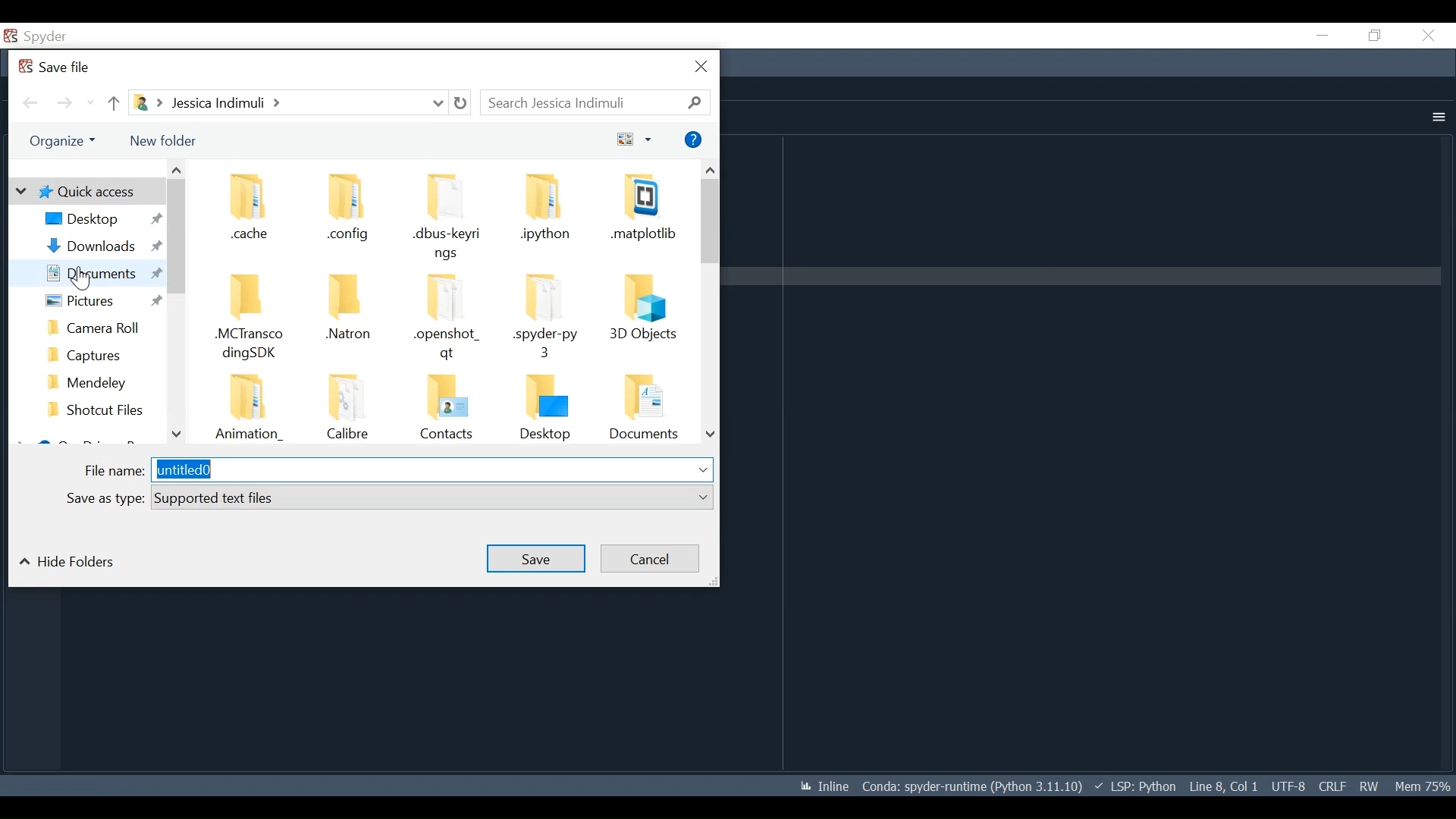 This screenshot has width=1456, height=819. Describe the element at coordinates (96, 326) in the screenshot. I see `Folder` at that location.